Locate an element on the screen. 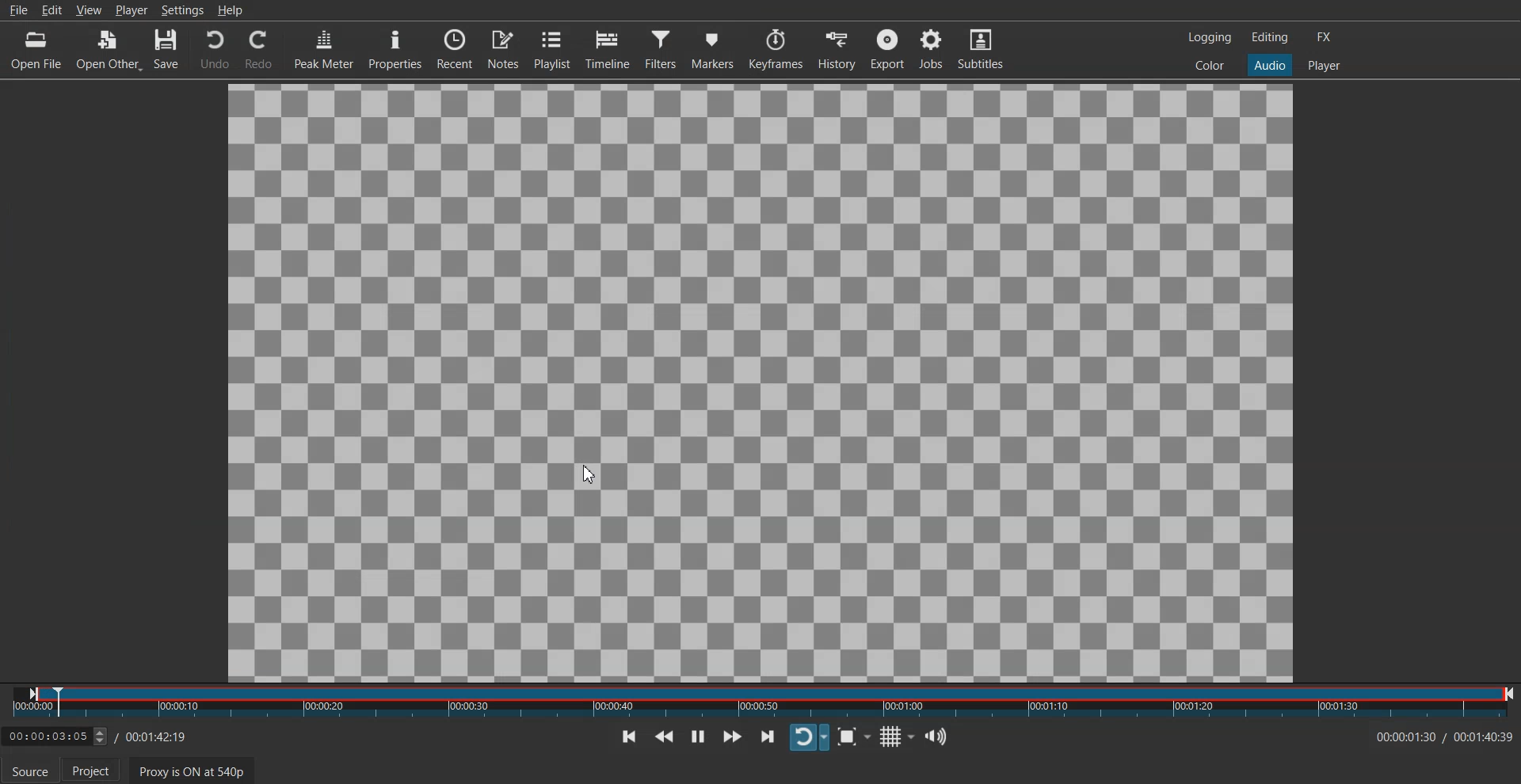 This screenshot has height=784, width=1521. Toggle grid display is located at coordinates (896, 736).